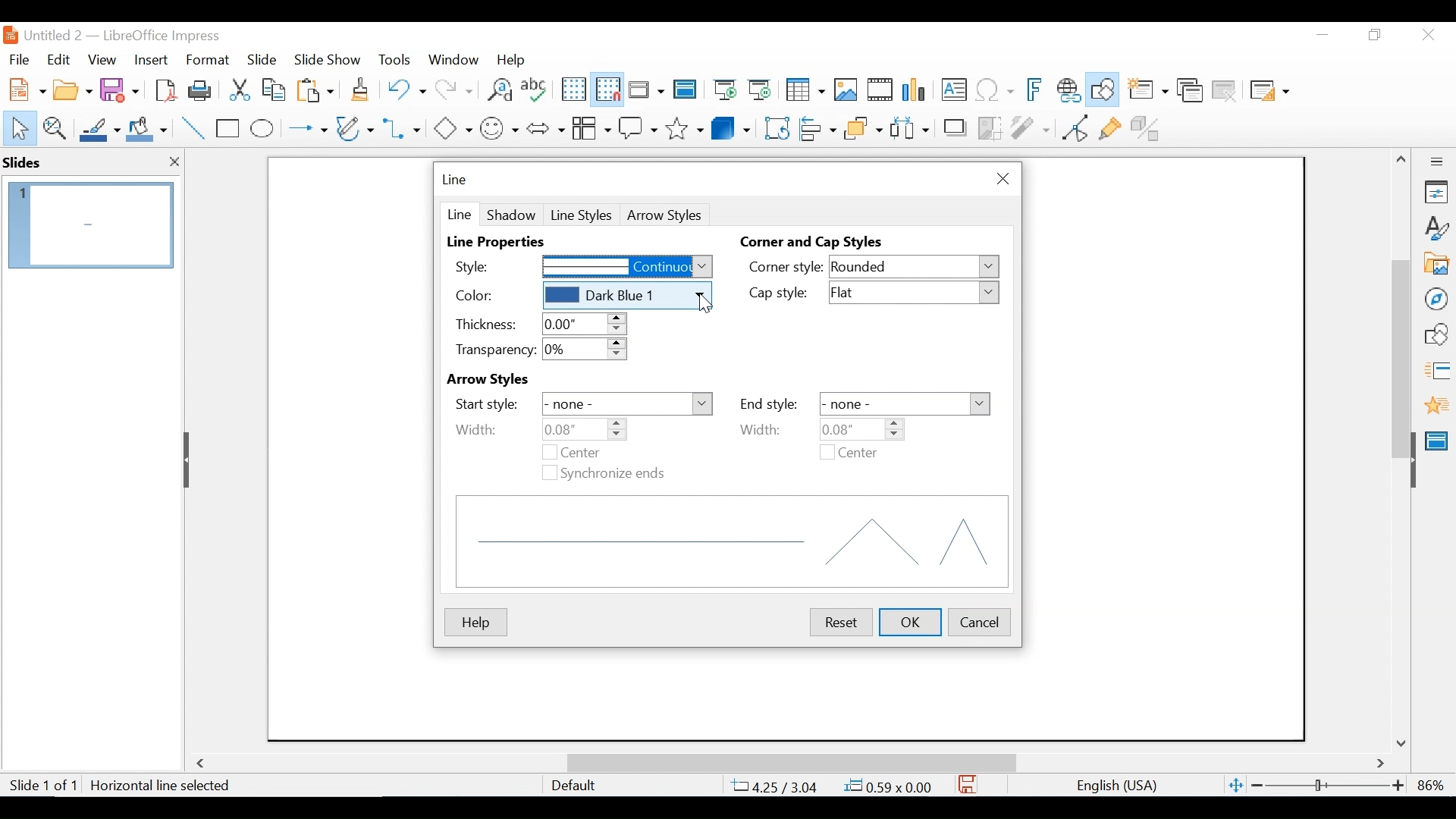 The image size is (1456, 819). What do you see at coordinates (573, 786) in the screenshot?
I see `Default` at bounding box center [573, 786].